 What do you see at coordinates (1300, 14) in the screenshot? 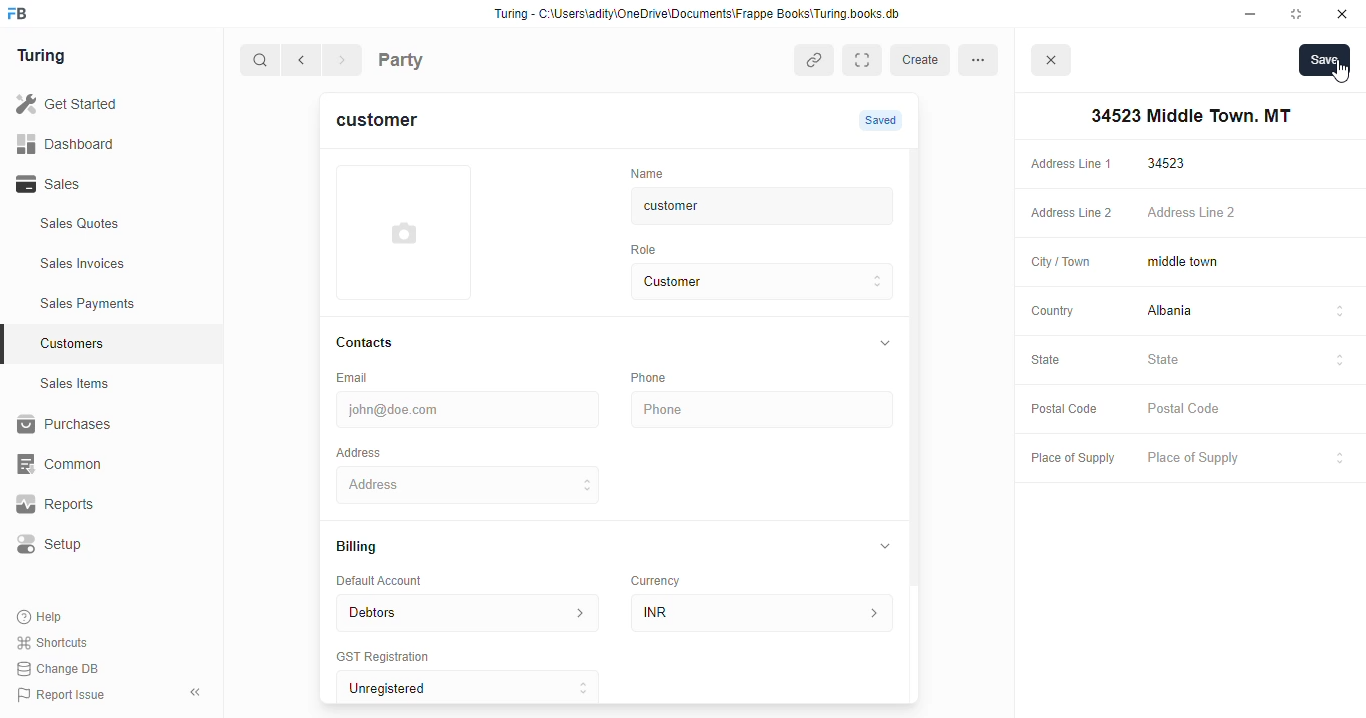
I see `maximise` at bounding box center [1300, 14].